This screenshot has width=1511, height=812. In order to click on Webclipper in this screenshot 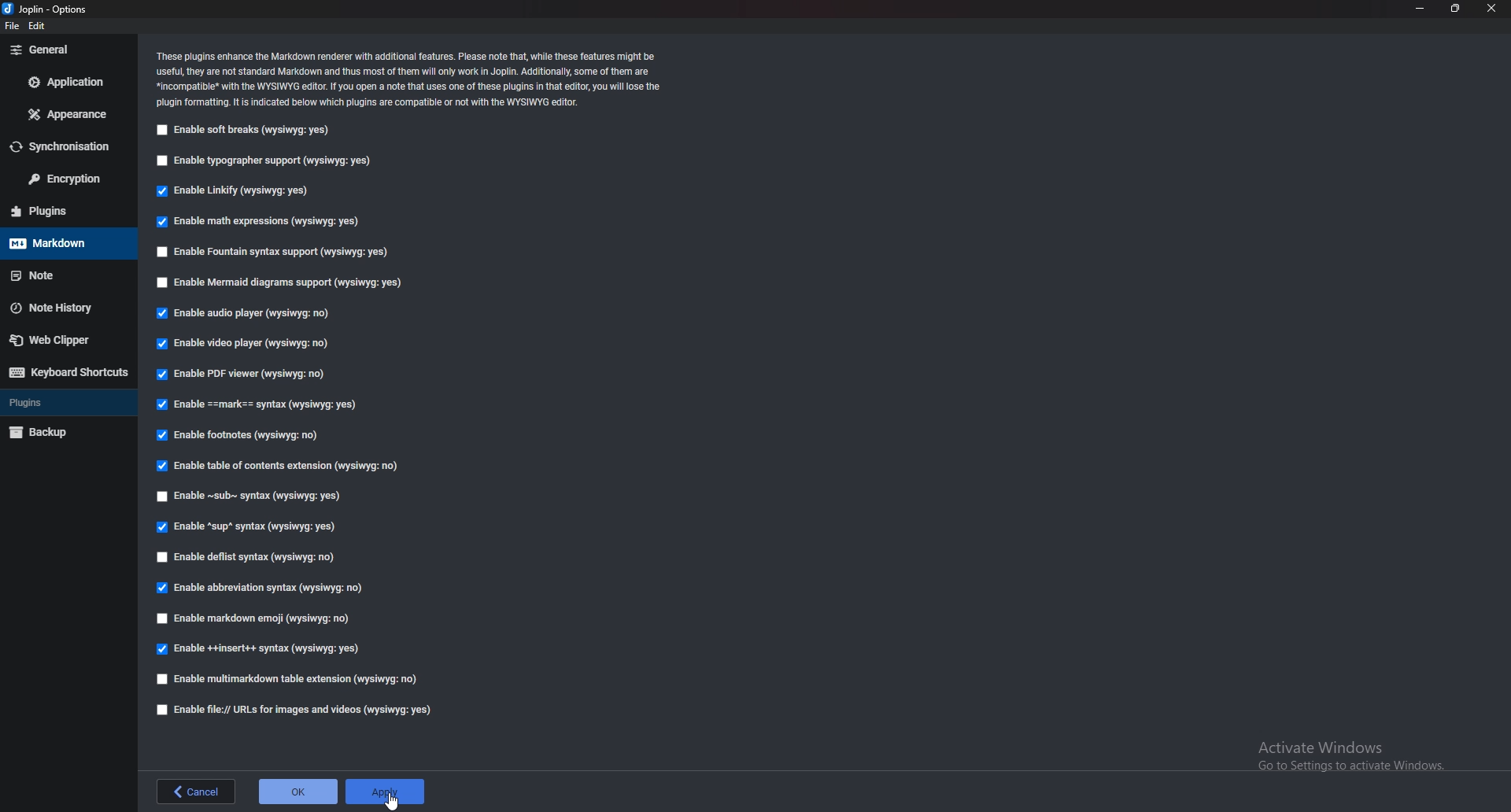, I will do `click(65, 340)`.